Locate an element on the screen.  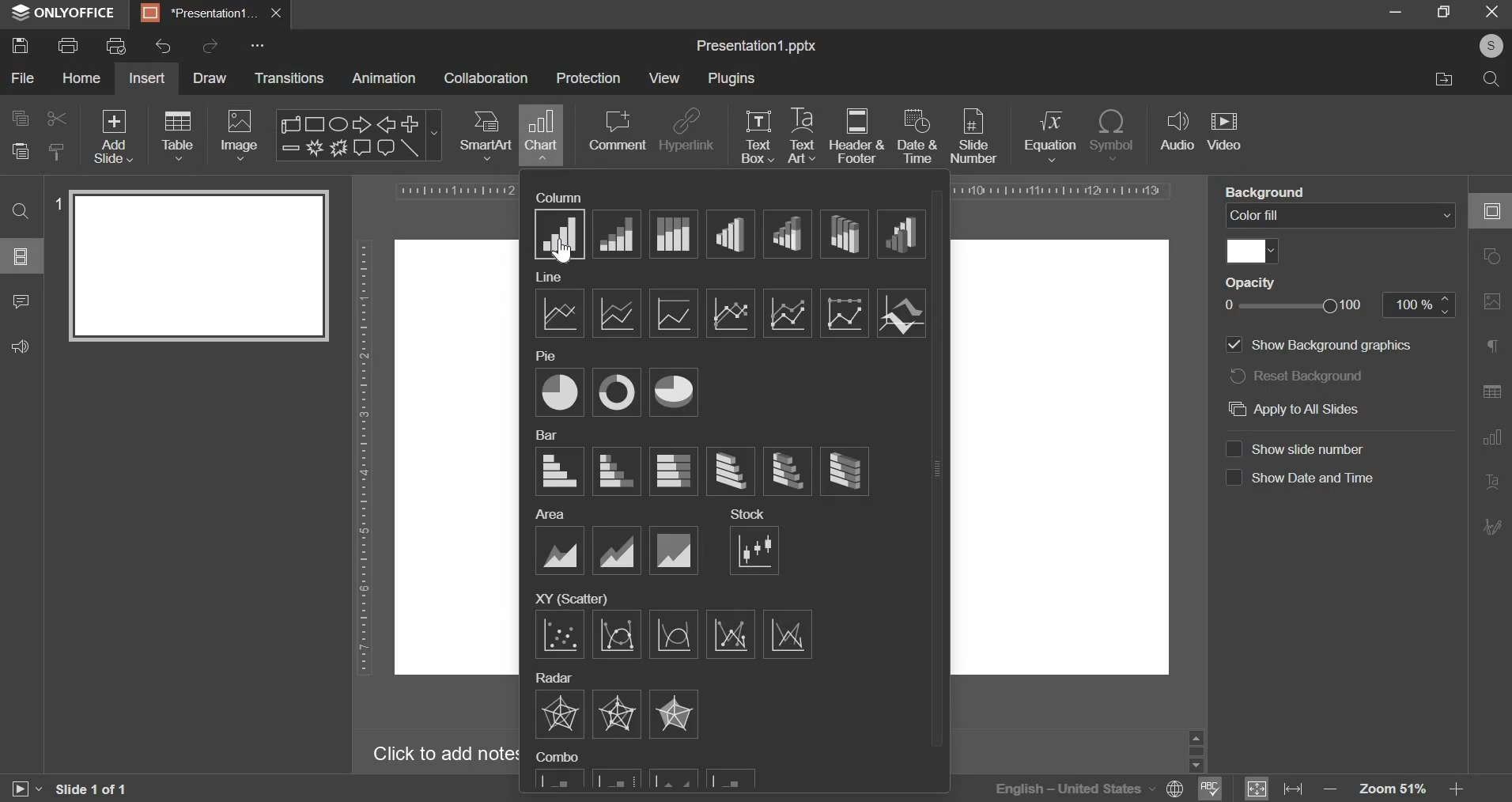
window name is located at coordinates (65, 14).